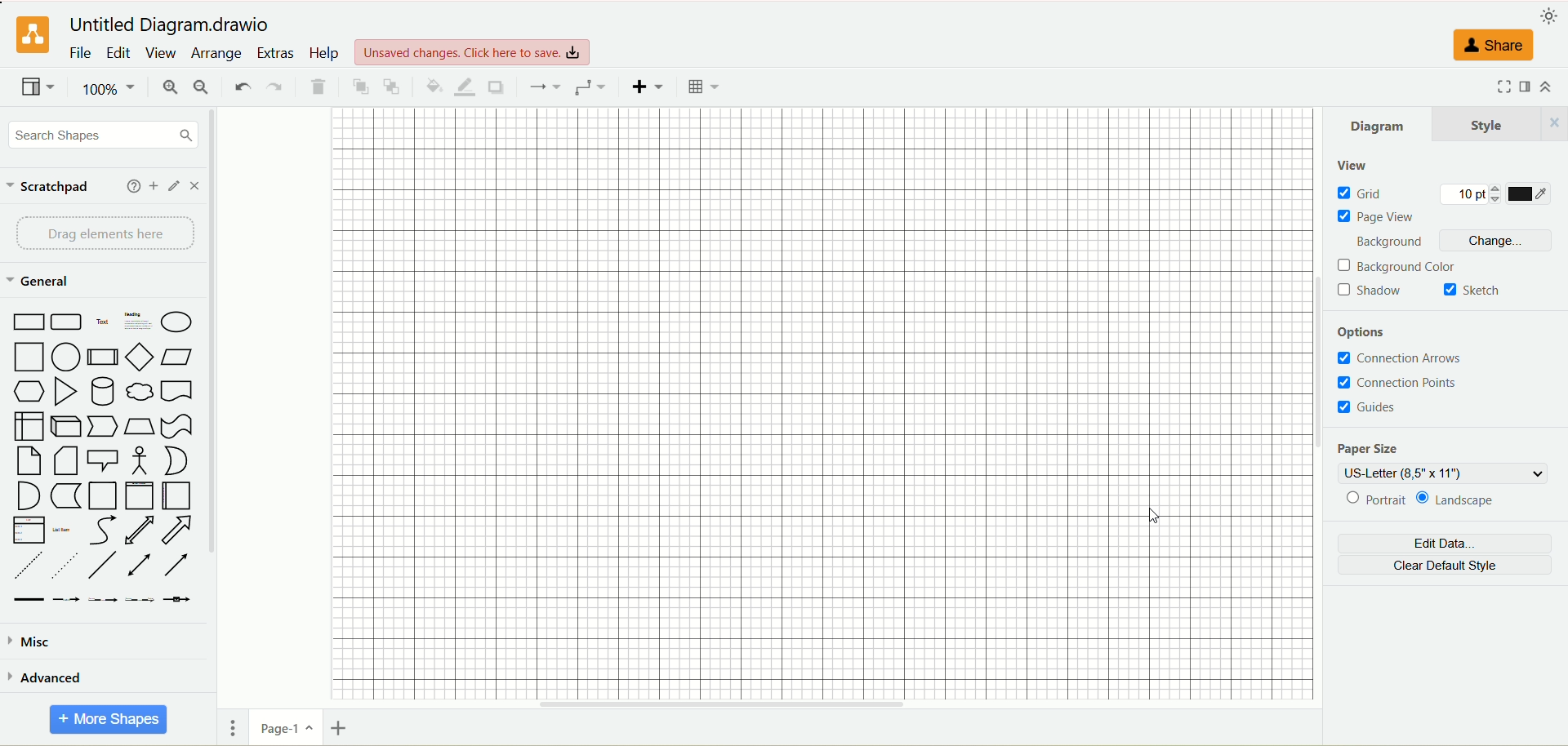 The image size is (1568, 746). What do you see at coordinates (1492, 46) in the screenshot?
I see `share` at bounding box center [1492, 46].